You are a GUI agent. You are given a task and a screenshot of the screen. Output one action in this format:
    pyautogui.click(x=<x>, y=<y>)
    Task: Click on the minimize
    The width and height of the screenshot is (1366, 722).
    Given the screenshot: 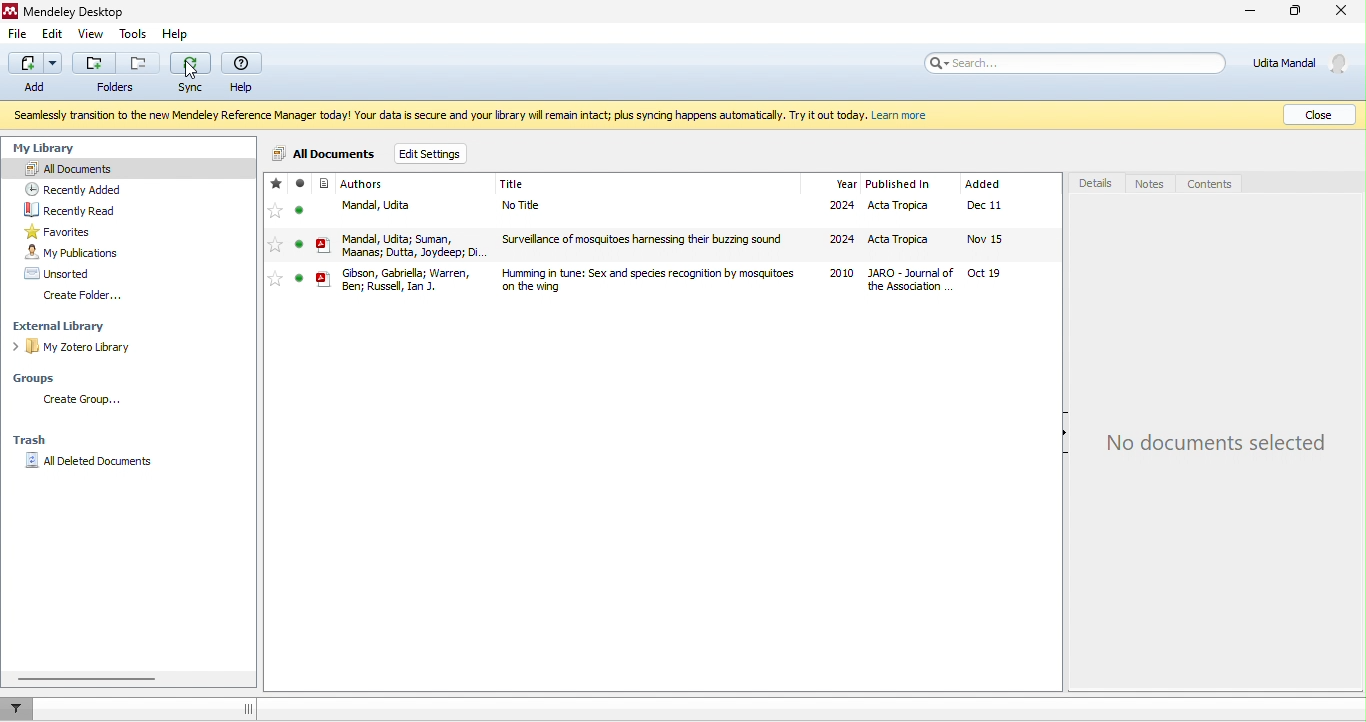 What is the action you would take?
    pyautogui.click(x=1249, y=12)
    